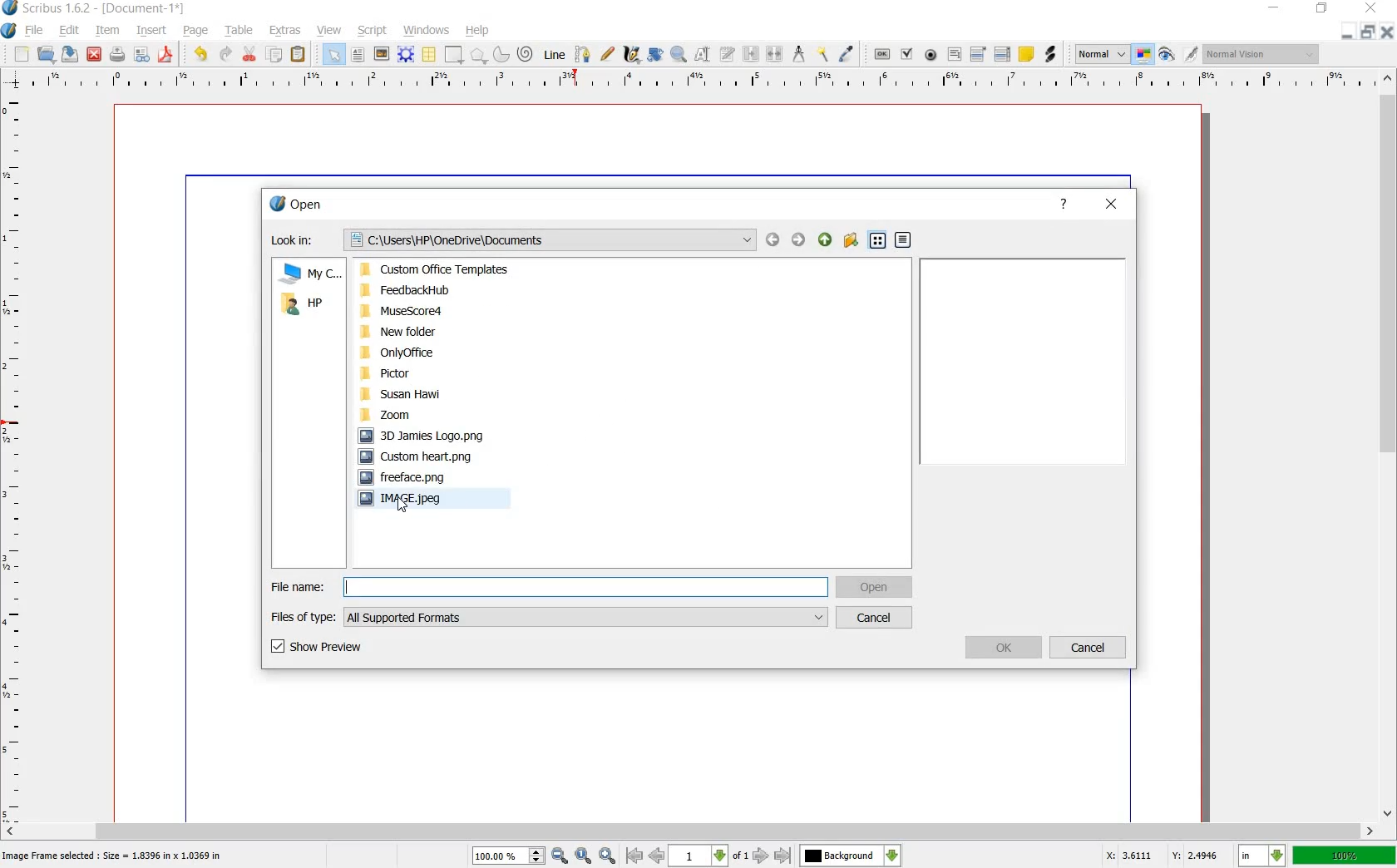 The width and height of the screenshot is (1397, 868). What do you see at coordinates (371, 29) in the screenshot?
I see `script` at bounding box center [371, 29].